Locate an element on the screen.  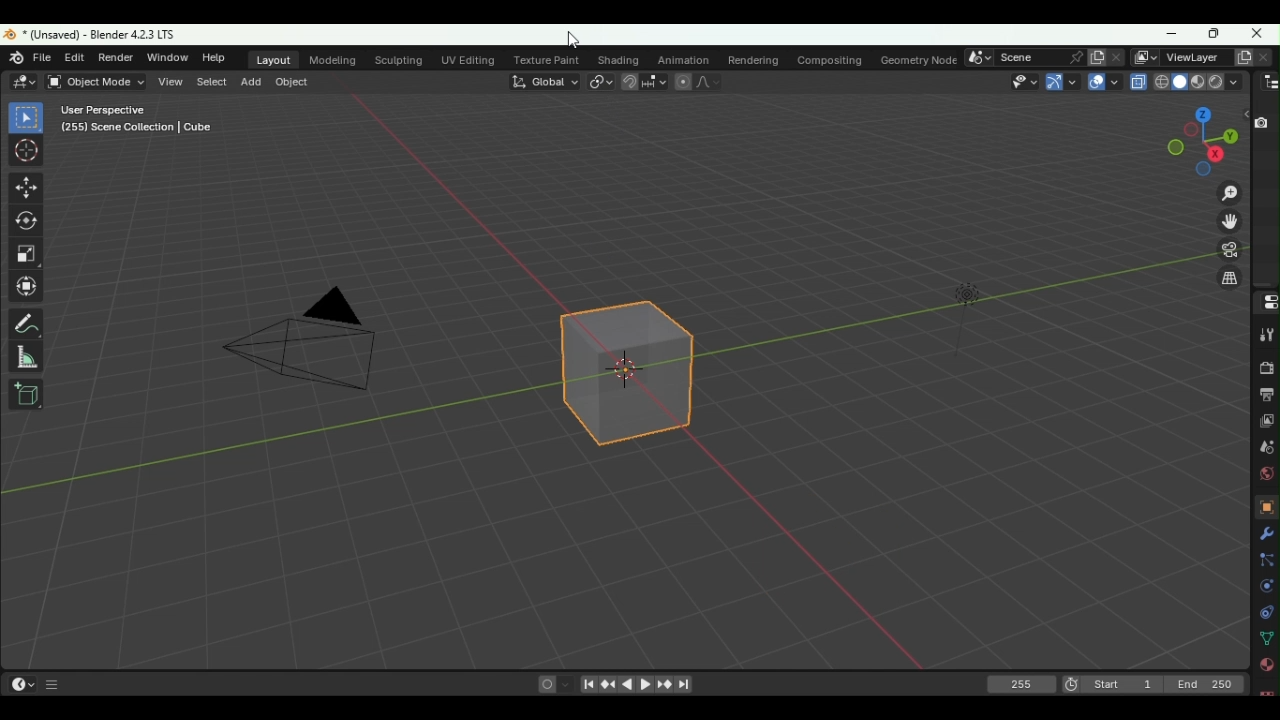
Blender logo is located at coordinates (18, 59).